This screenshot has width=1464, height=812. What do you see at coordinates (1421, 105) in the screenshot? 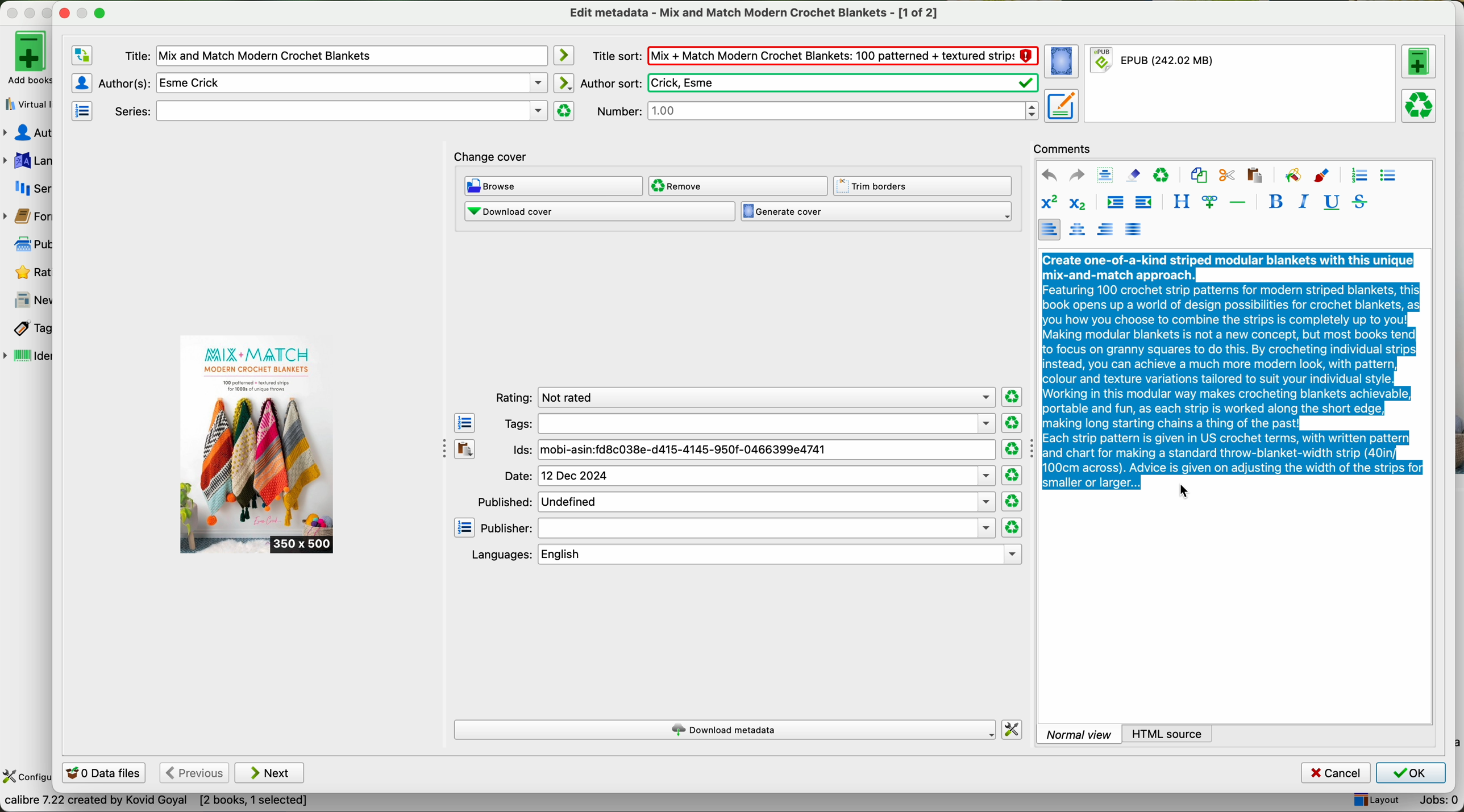
I see `remove the selected format from this book` at bounding box center [1421, 105].